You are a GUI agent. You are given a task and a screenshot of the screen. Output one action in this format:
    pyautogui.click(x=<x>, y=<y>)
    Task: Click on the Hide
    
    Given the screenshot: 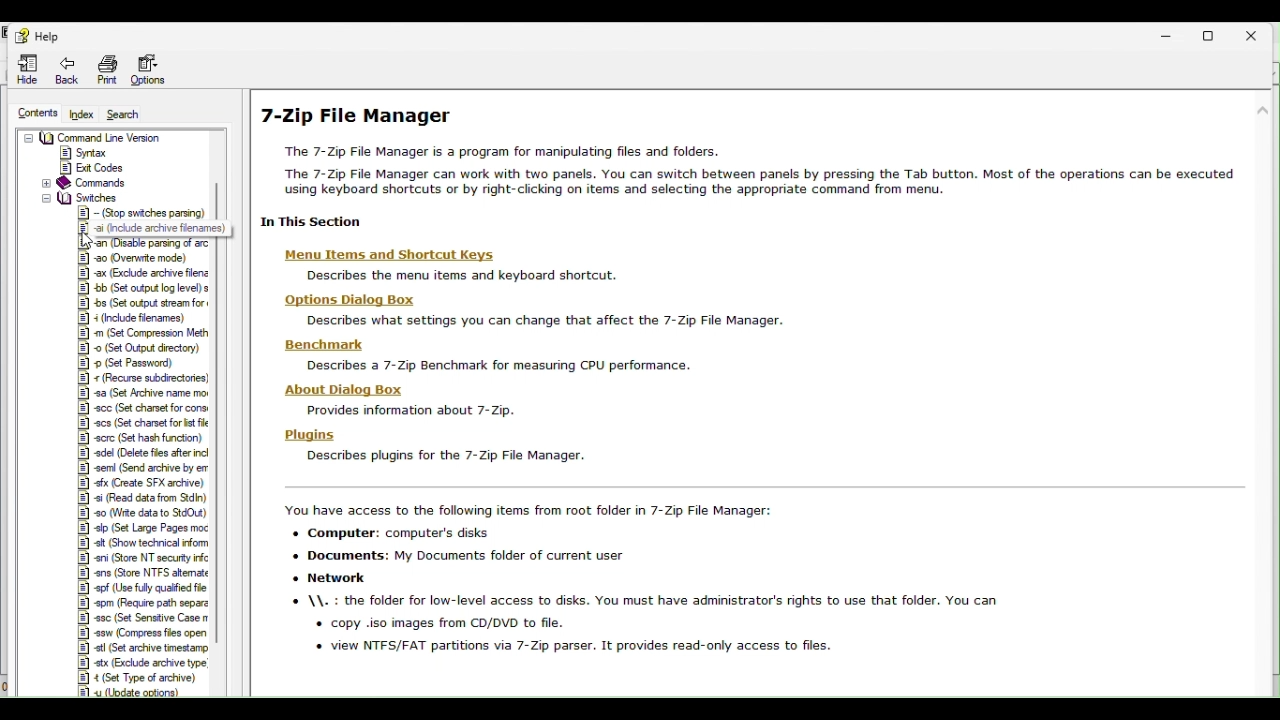 What is the action you would take?
    pyautogui.click(x=22, y=70)
    